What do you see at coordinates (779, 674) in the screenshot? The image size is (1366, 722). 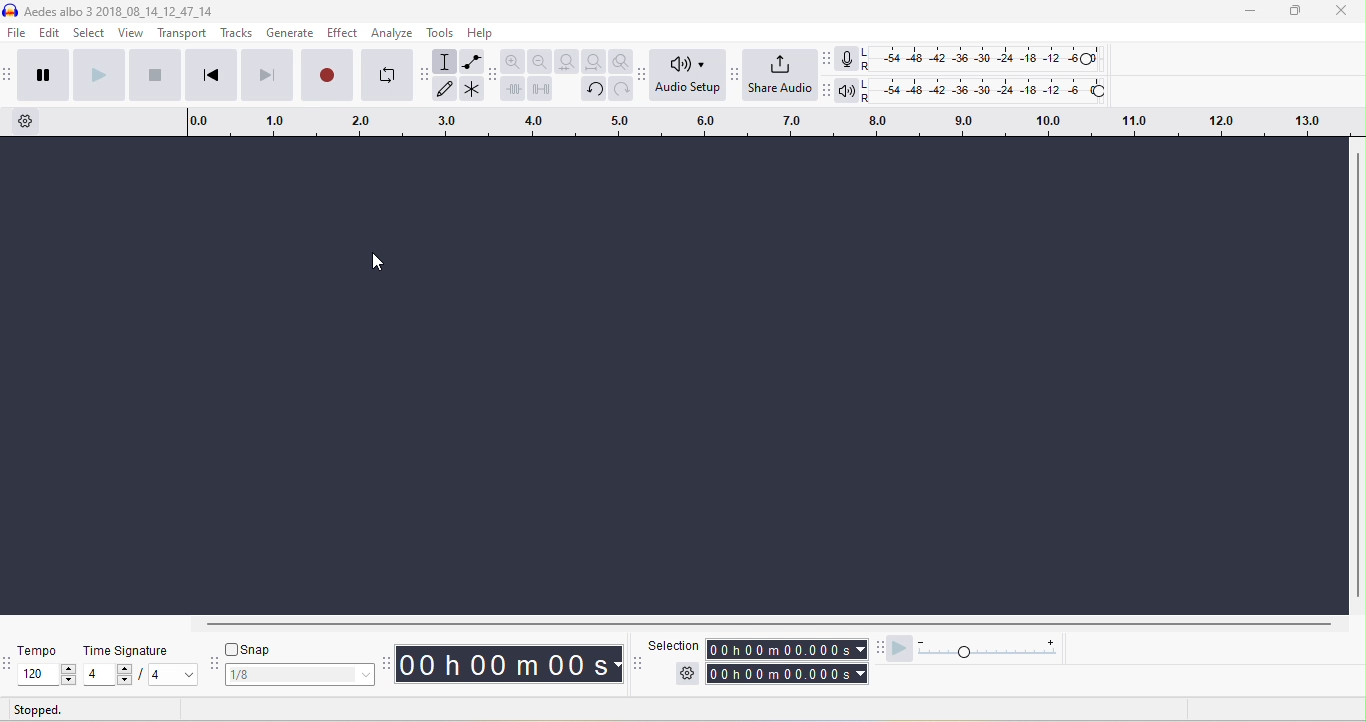 I see `total time` at bounding box center [779, 674].